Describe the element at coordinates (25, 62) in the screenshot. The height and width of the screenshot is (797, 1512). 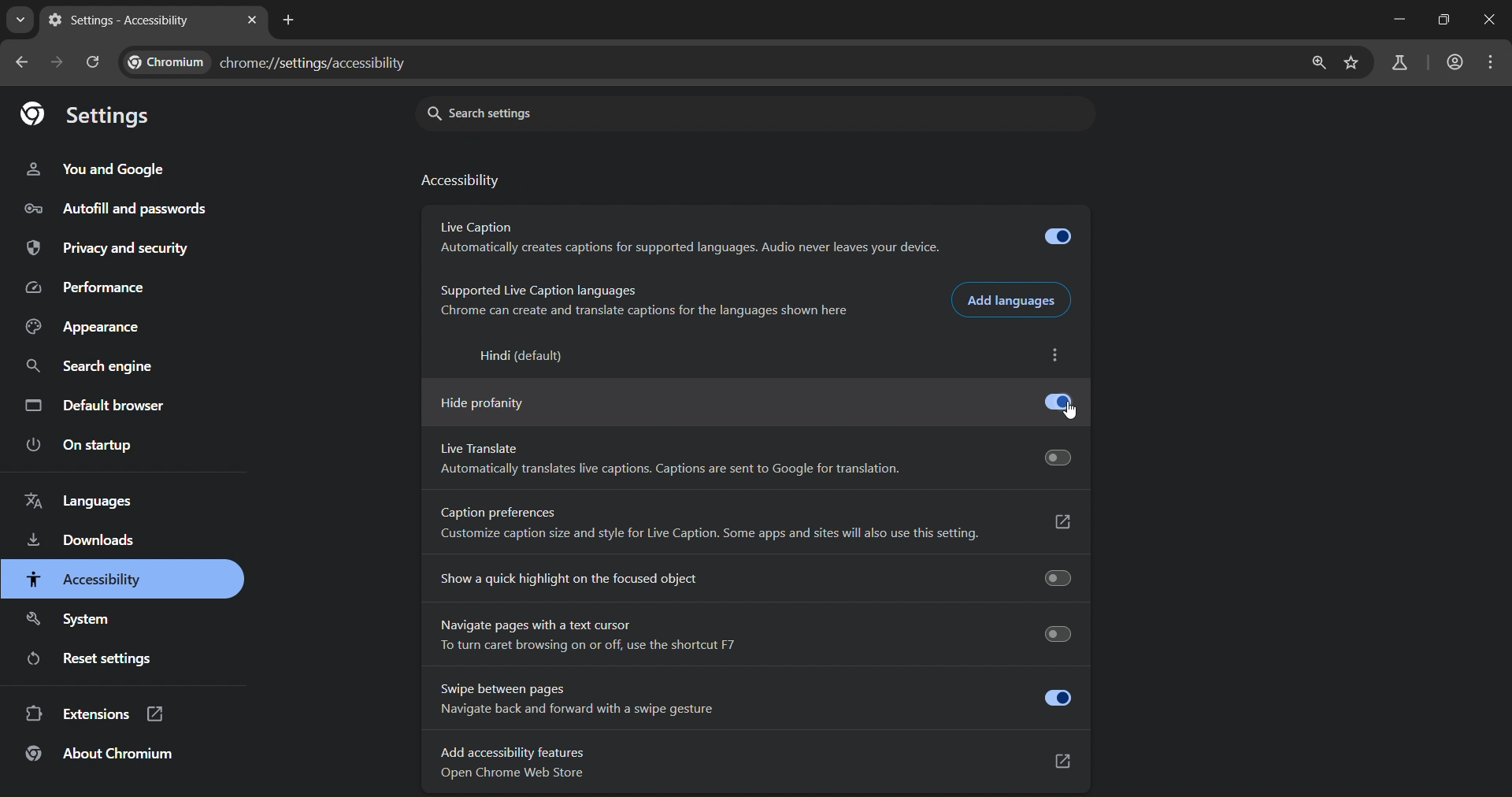
I see `go back one page` at that location.